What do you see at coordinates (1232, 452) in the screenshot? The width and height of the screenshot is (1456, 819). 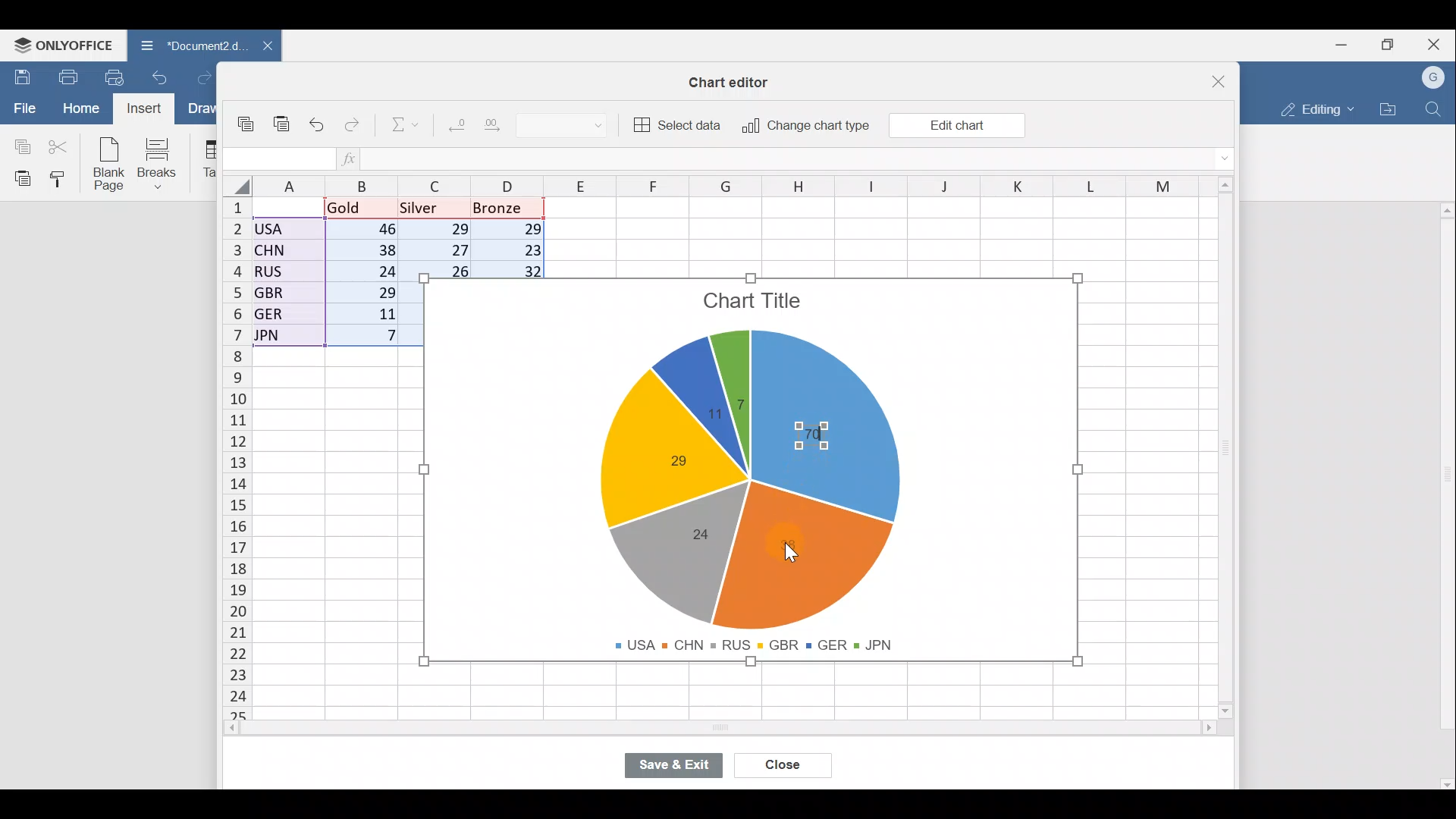 I see `Scroll bar` at bounding box center [1232, 452].